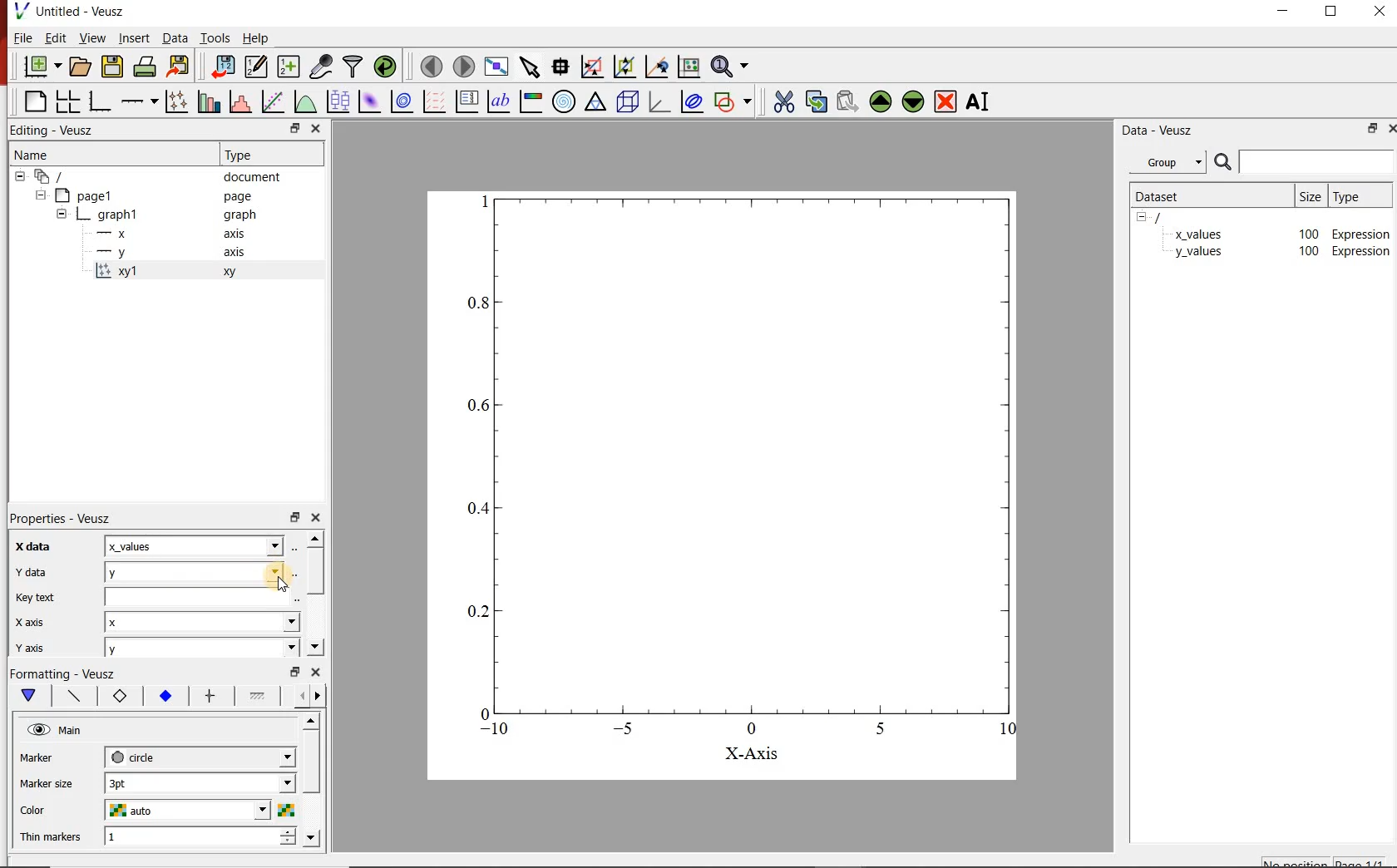  I want to click on open document, so click(81, 66).